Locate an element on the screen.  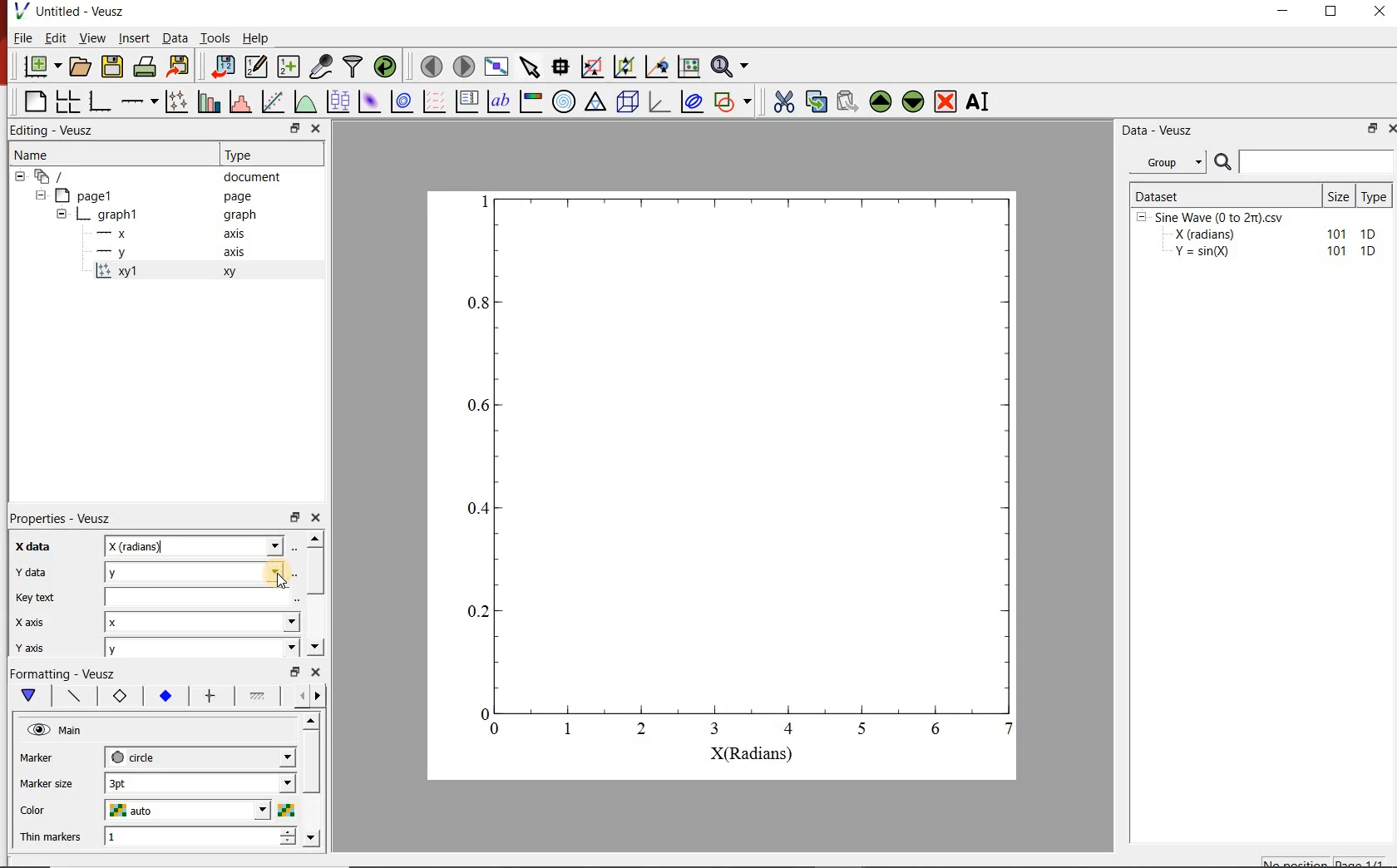
plot 2d dataset as image is located at coordinates (370, 101).